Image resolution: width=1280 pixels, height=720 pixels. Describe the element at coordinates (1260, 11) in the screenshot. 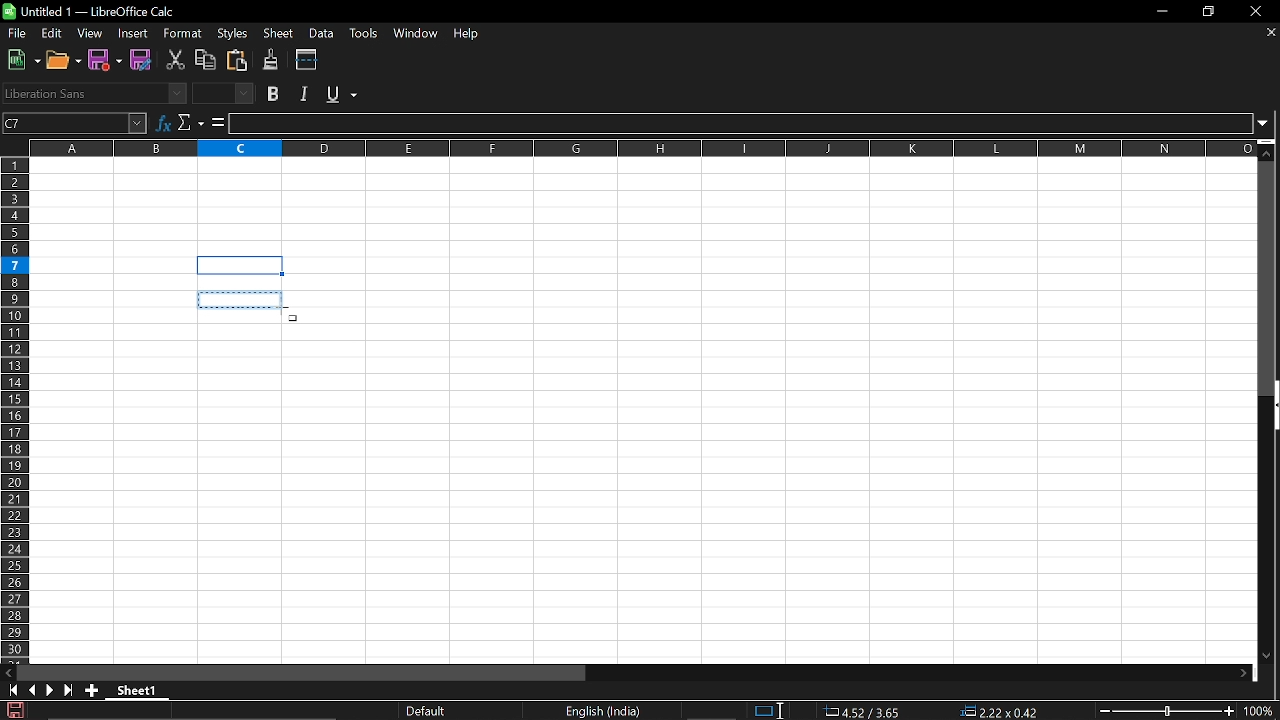

I see `Close ` at that location.